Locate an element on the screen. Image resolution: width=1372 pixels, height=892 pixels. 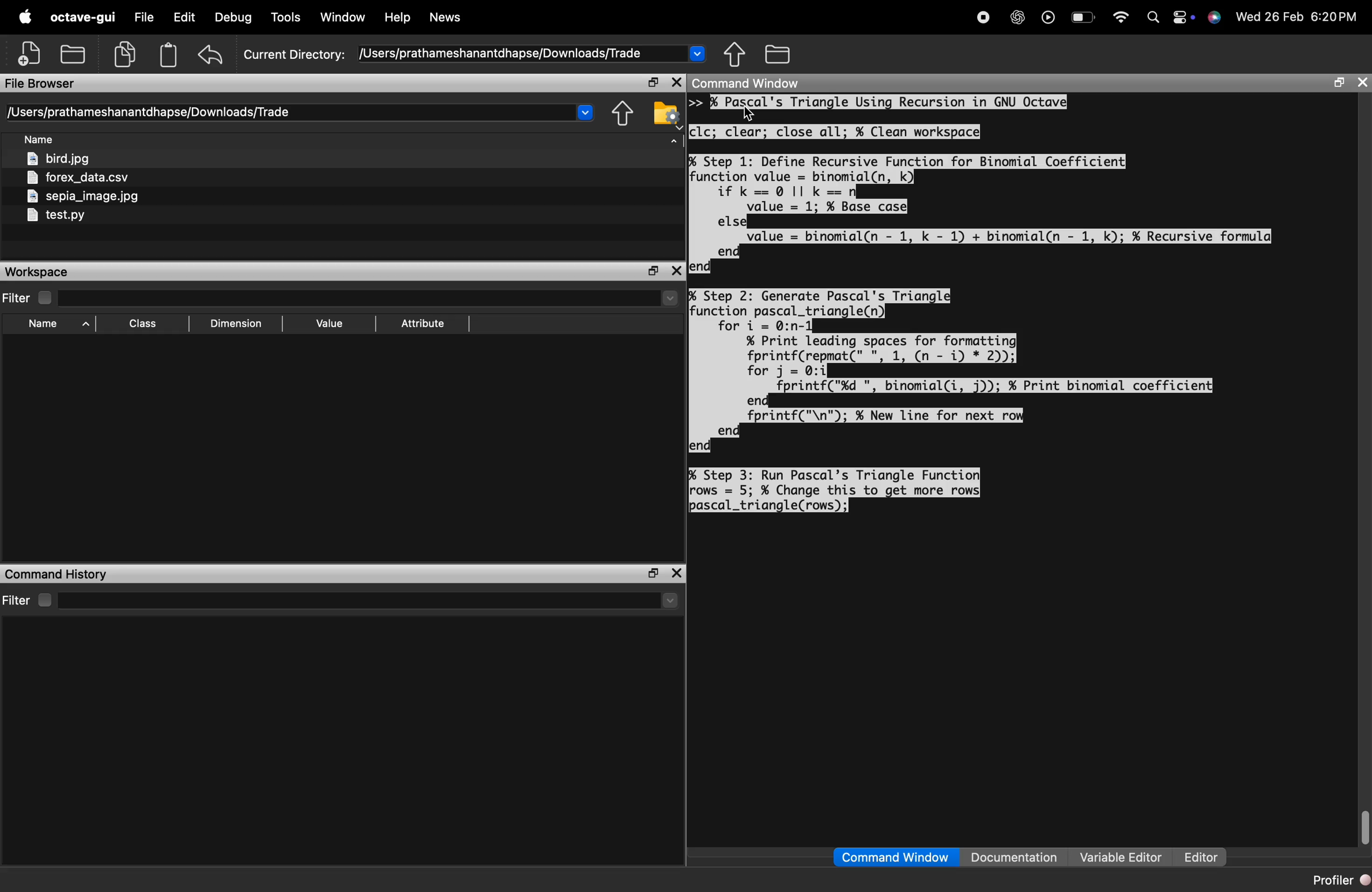
dropdown is located at coordinates (698, 53).